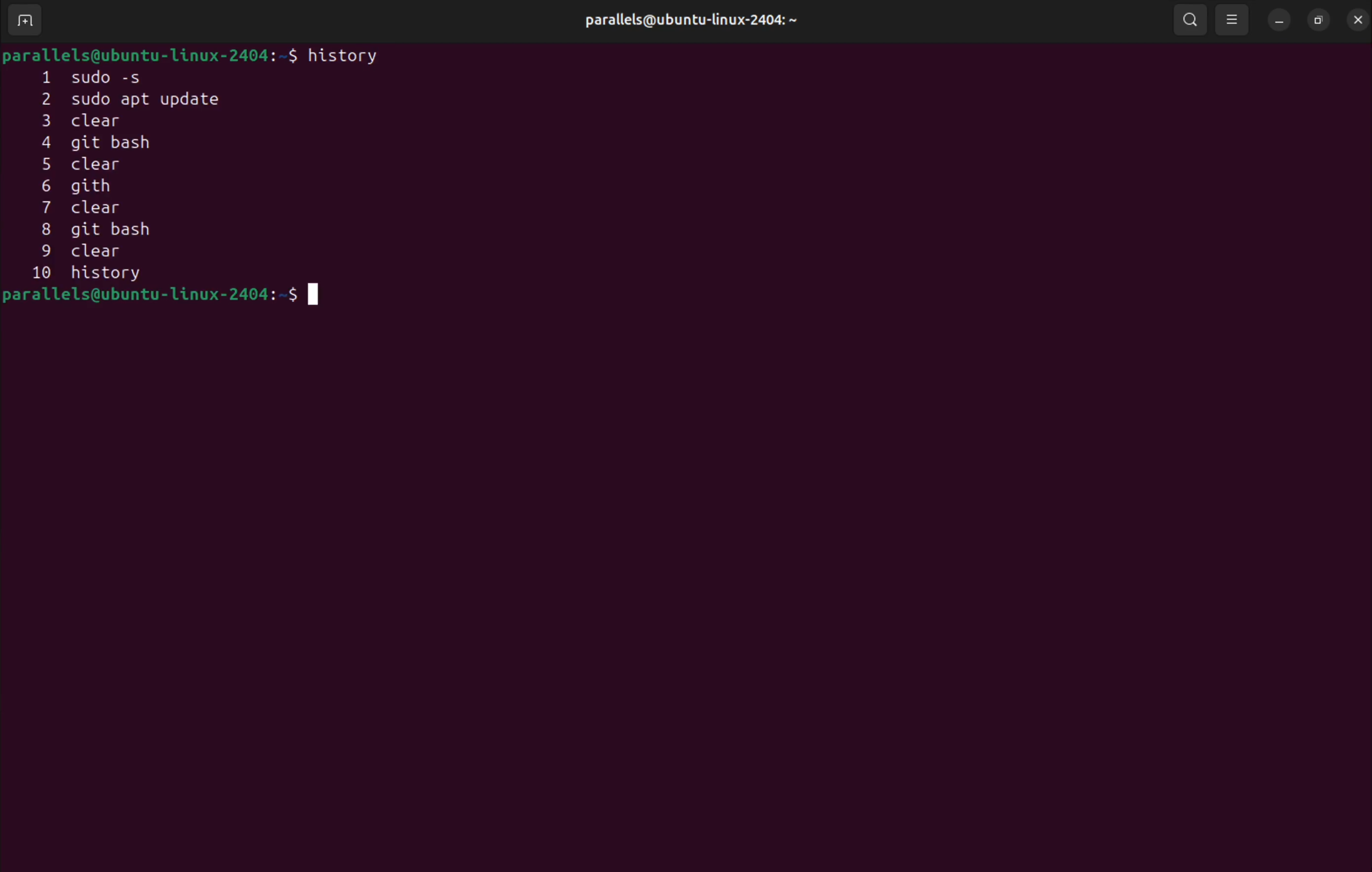  I want to click on 1.sudo -s, so click(104, 77).